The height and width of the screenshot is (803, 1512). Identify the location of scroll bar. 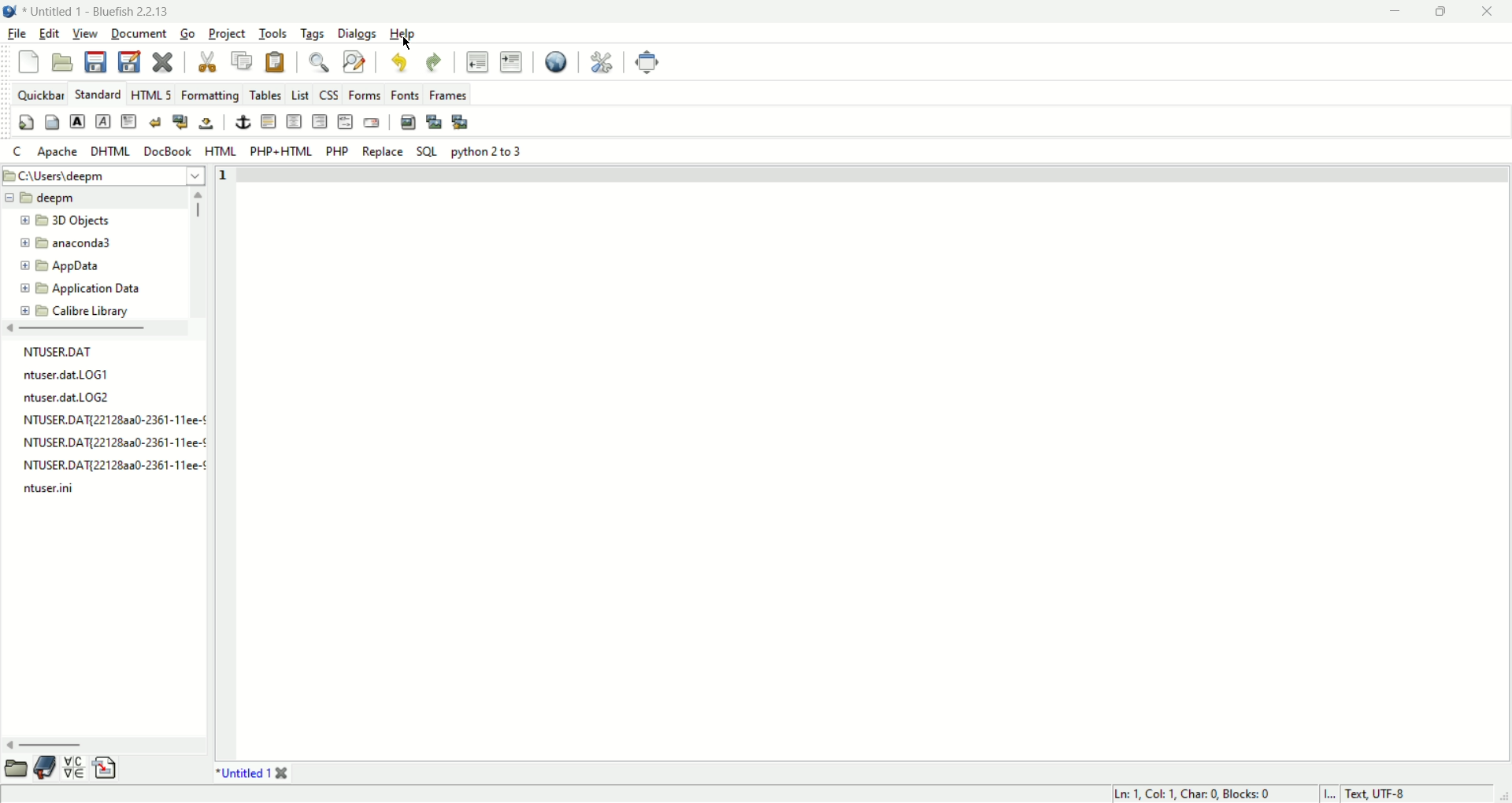
(104, 747).